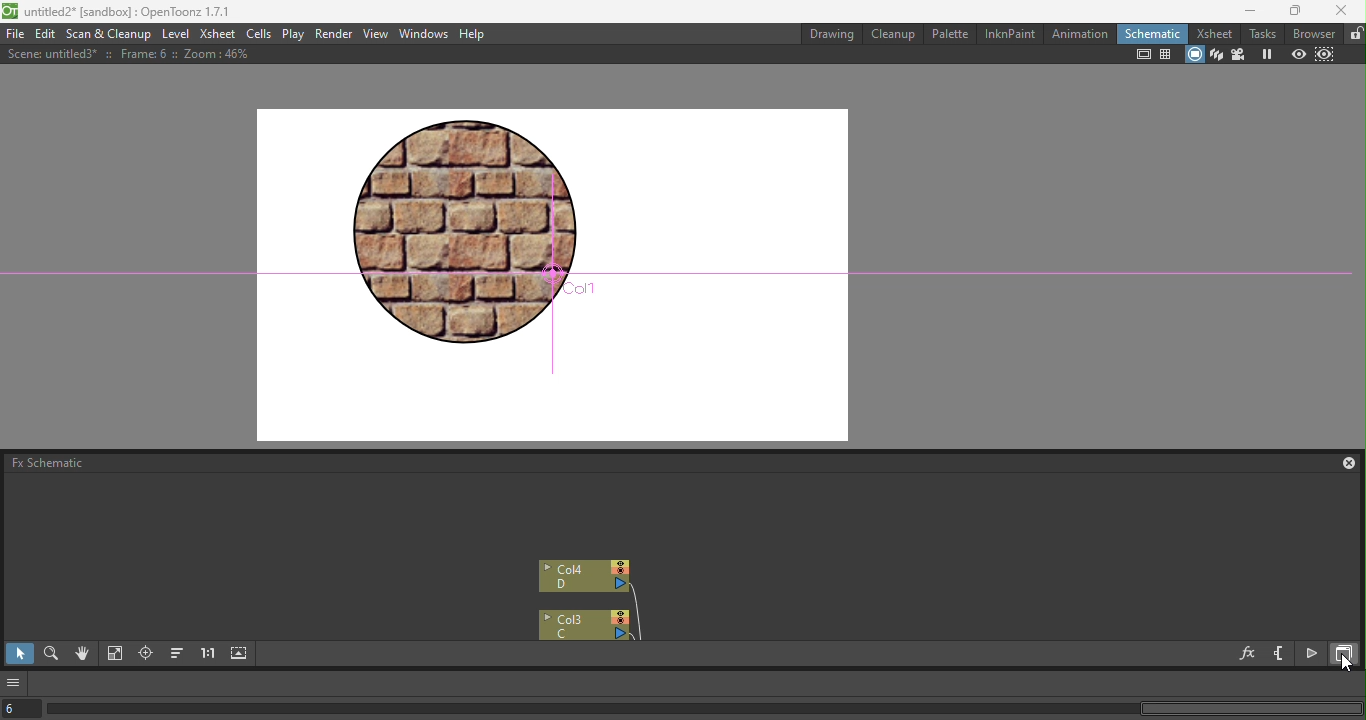 Image resolution: width=1366 pixels, height=720 pixels. Describe the element at coordinates (135, 54) in the screenshot. I see `Scene: untitle3* :: Frame: 6 :: Zoom :46%` at that location.